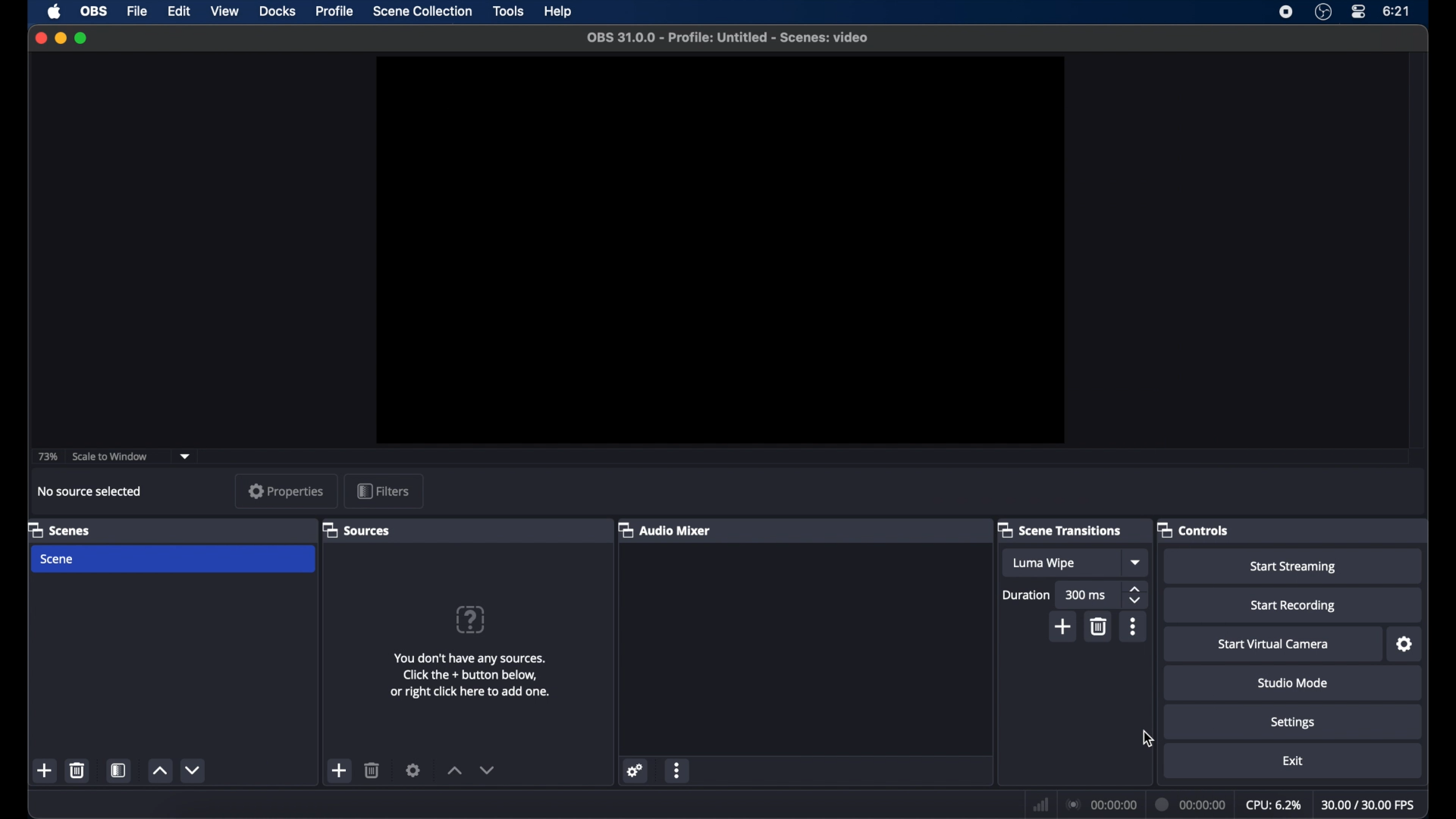 The width and height of the screenshot is (1456, 819). Describe the element at coordinates (1137, 595) in the screenshot. I see `stepper buttons` at that location.